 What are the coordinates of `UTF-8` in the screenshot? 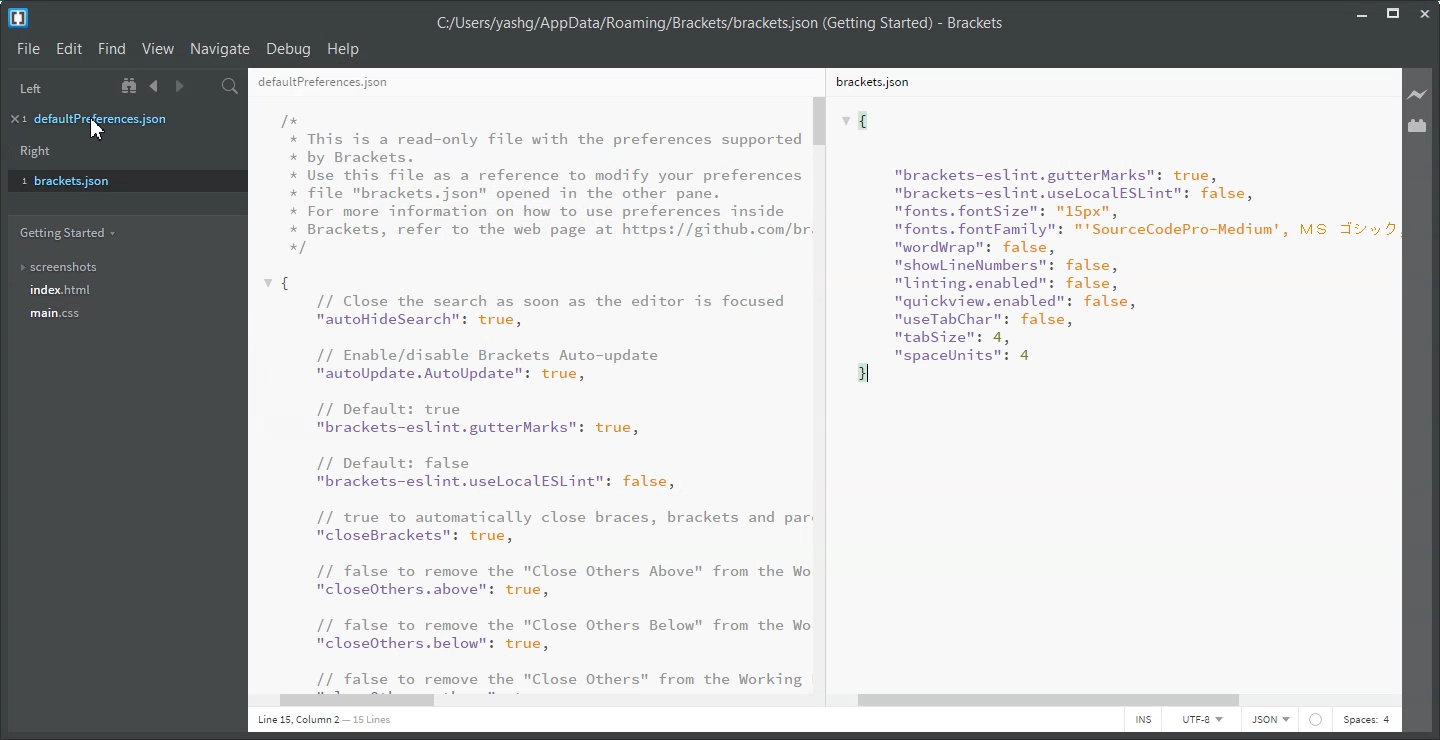 It's located at (1201, 721).